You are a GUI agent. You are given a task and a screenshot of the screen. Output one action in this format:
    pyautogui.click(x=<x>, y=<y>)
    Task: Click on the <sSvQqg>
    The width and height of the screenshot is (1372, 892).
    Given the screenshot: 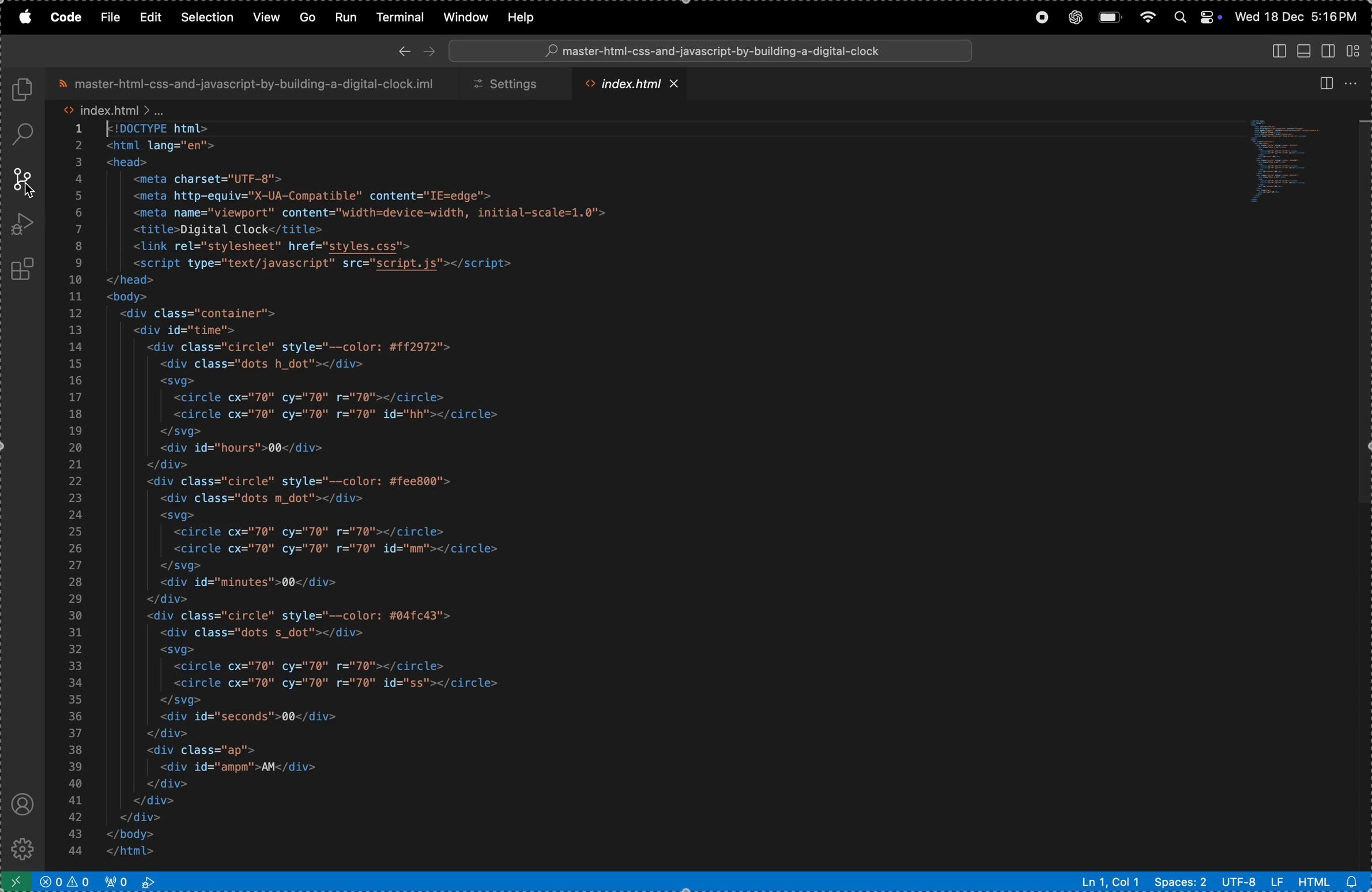 What is the action you would take?
    pyautogui.click(x=175, y=516)
    